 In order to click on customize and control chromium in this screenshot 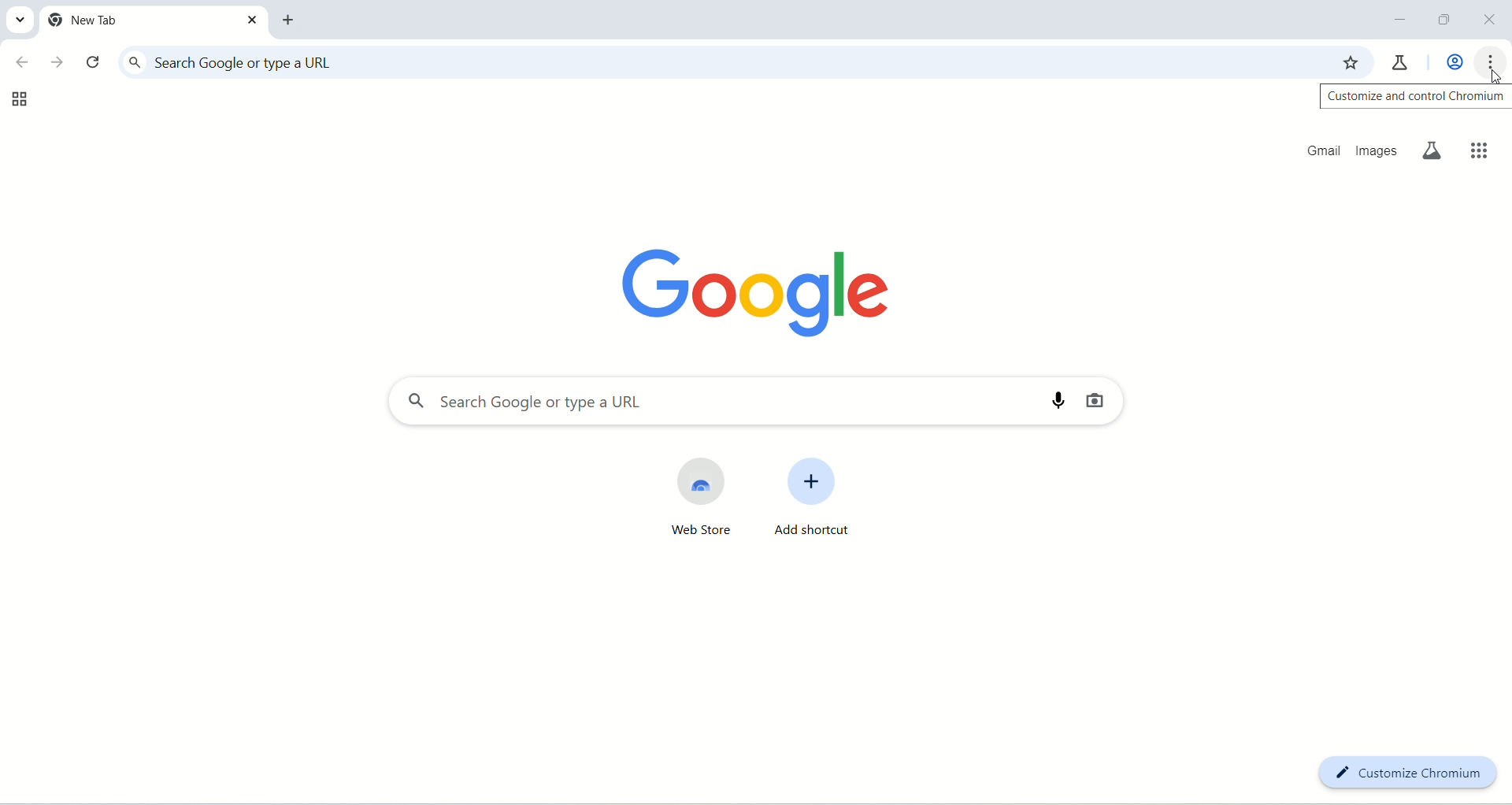, I will do `click(1494, 63)`.